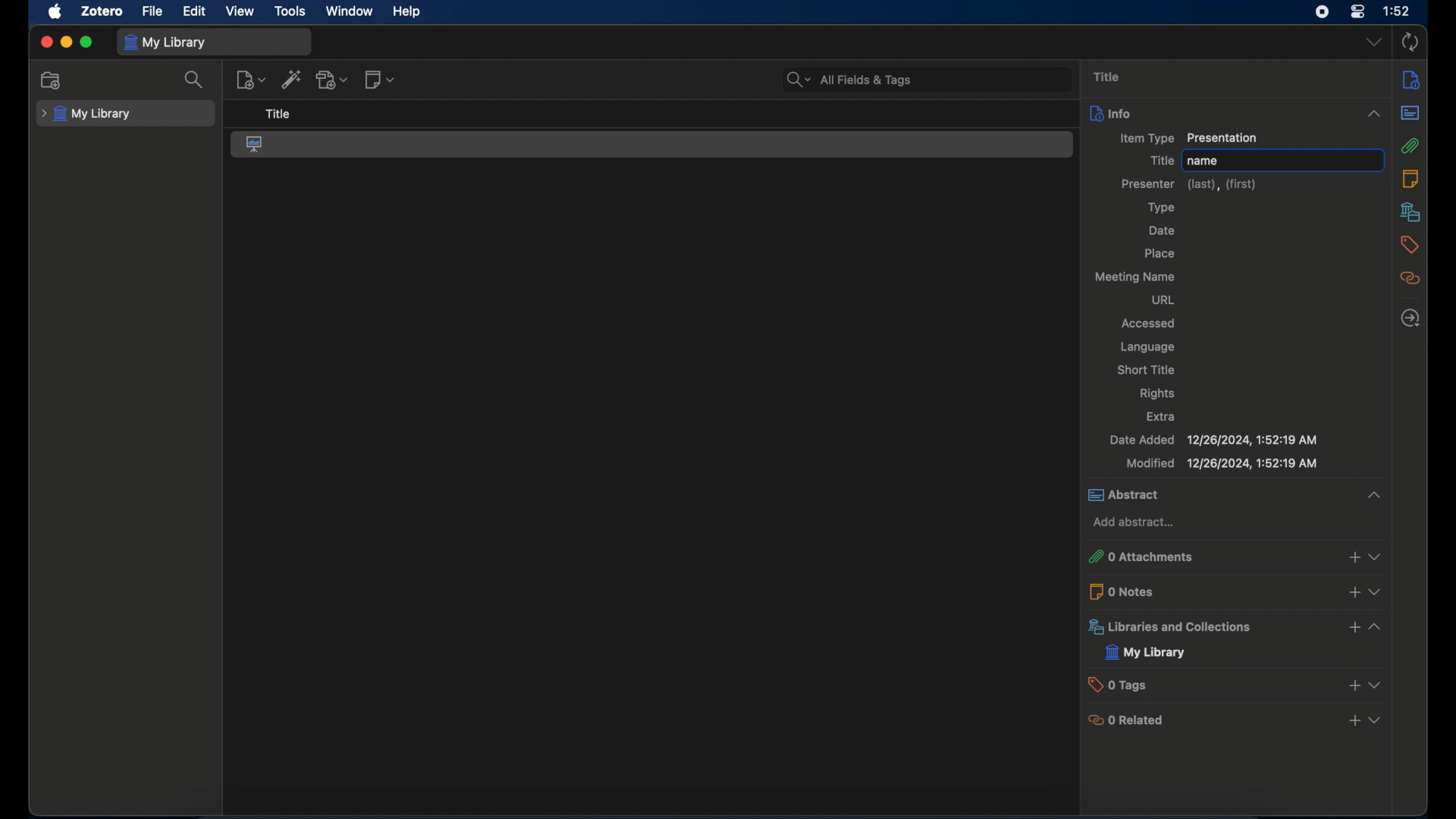 The height and width of the screenshot is (819, 1456). What do you see at coordinates (1410, 179) in the screenshot?
I see `notes` at bounding box center [1410, 179].